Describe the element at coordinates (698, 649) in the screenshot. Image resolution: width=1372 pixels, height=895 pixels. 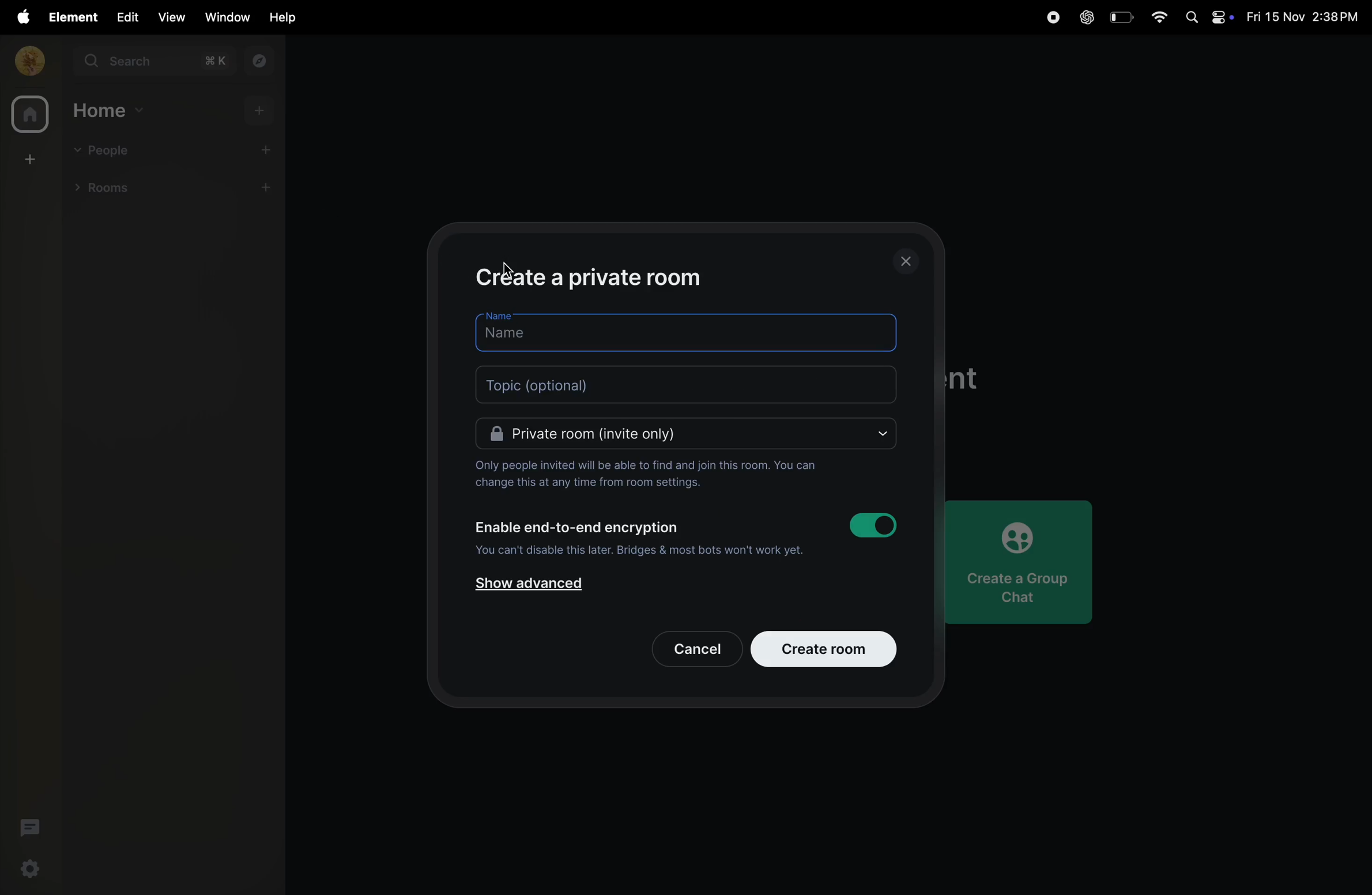
I see `cancel` at that location.